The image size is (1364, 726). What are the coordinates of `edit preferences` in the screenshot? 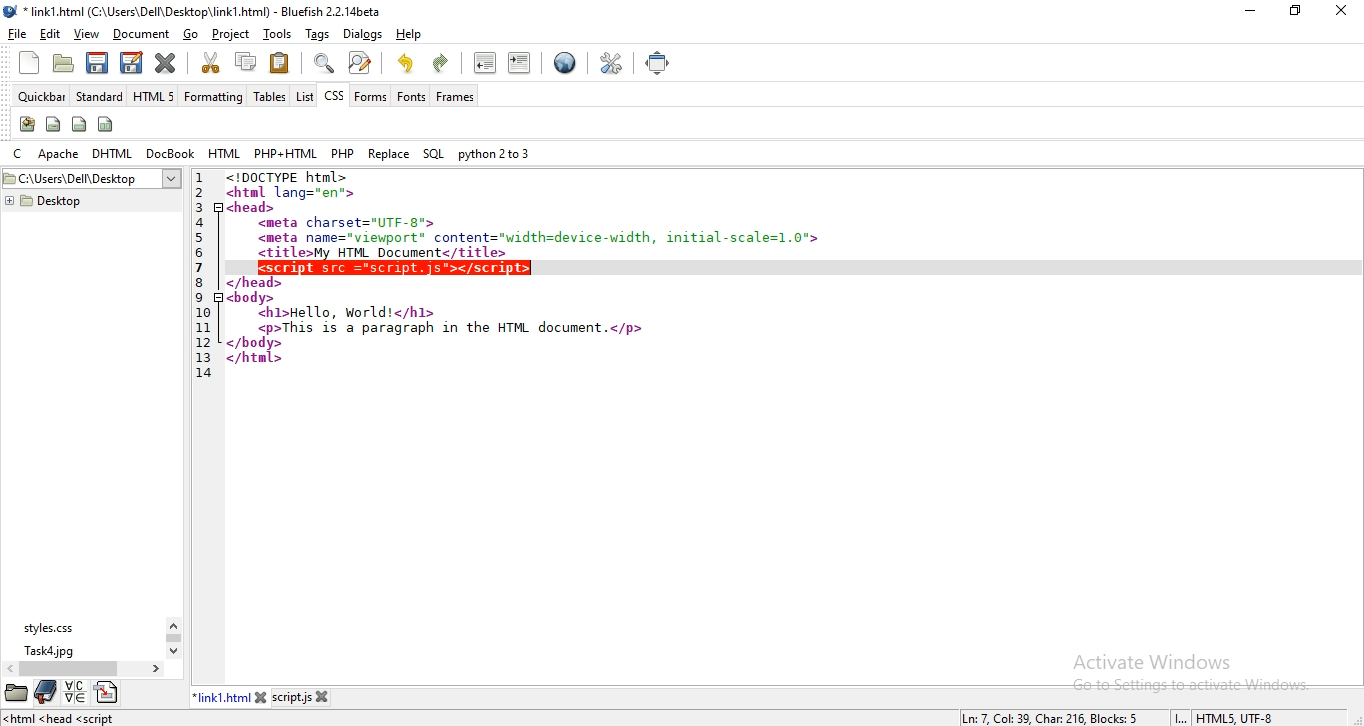 It's located at (611, 64).